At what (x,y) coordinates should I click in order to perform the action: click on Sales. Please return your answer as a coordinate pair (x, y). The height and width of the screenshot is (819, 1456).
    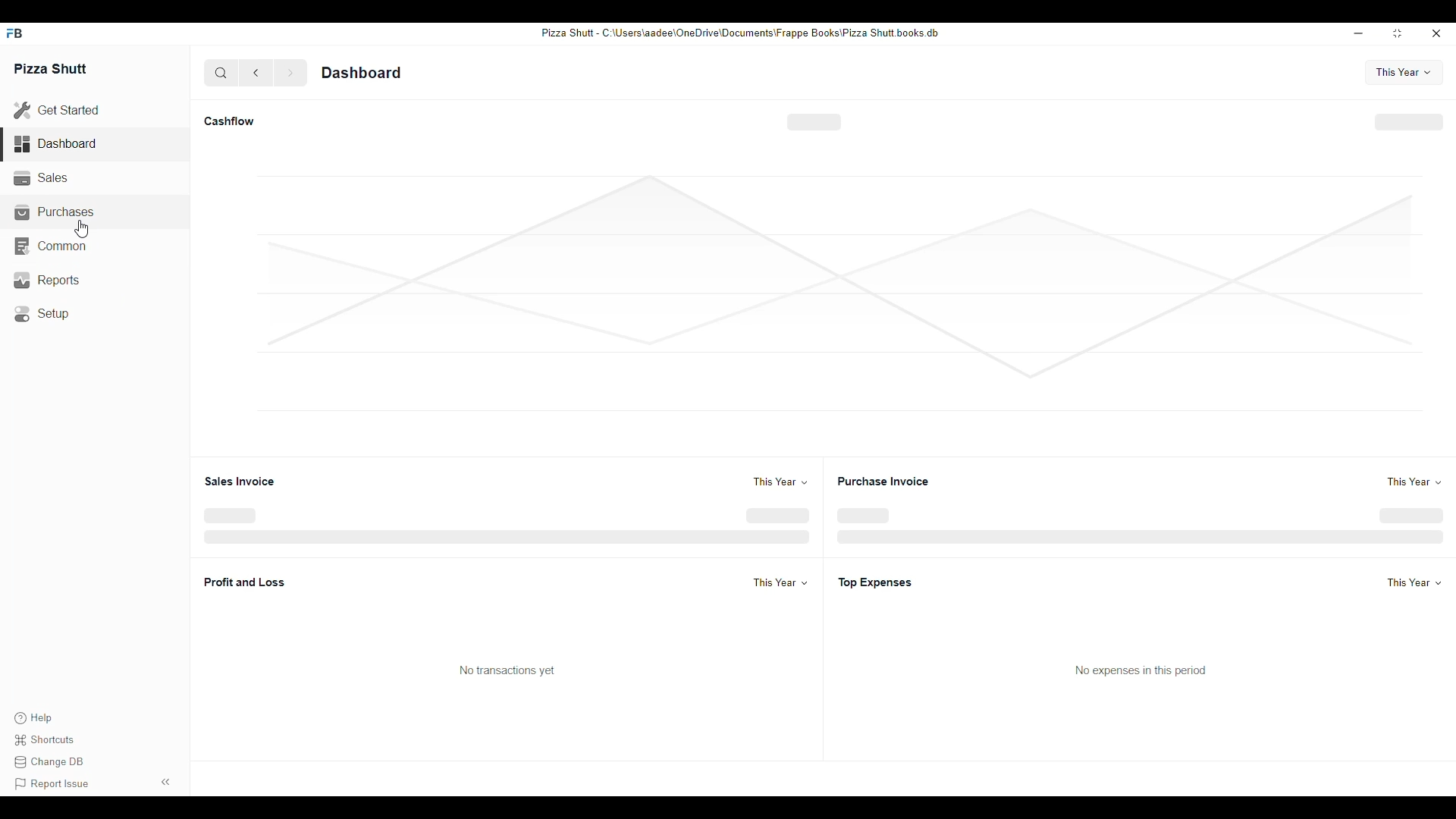
    Looking at the image, I should click on (39, 176).